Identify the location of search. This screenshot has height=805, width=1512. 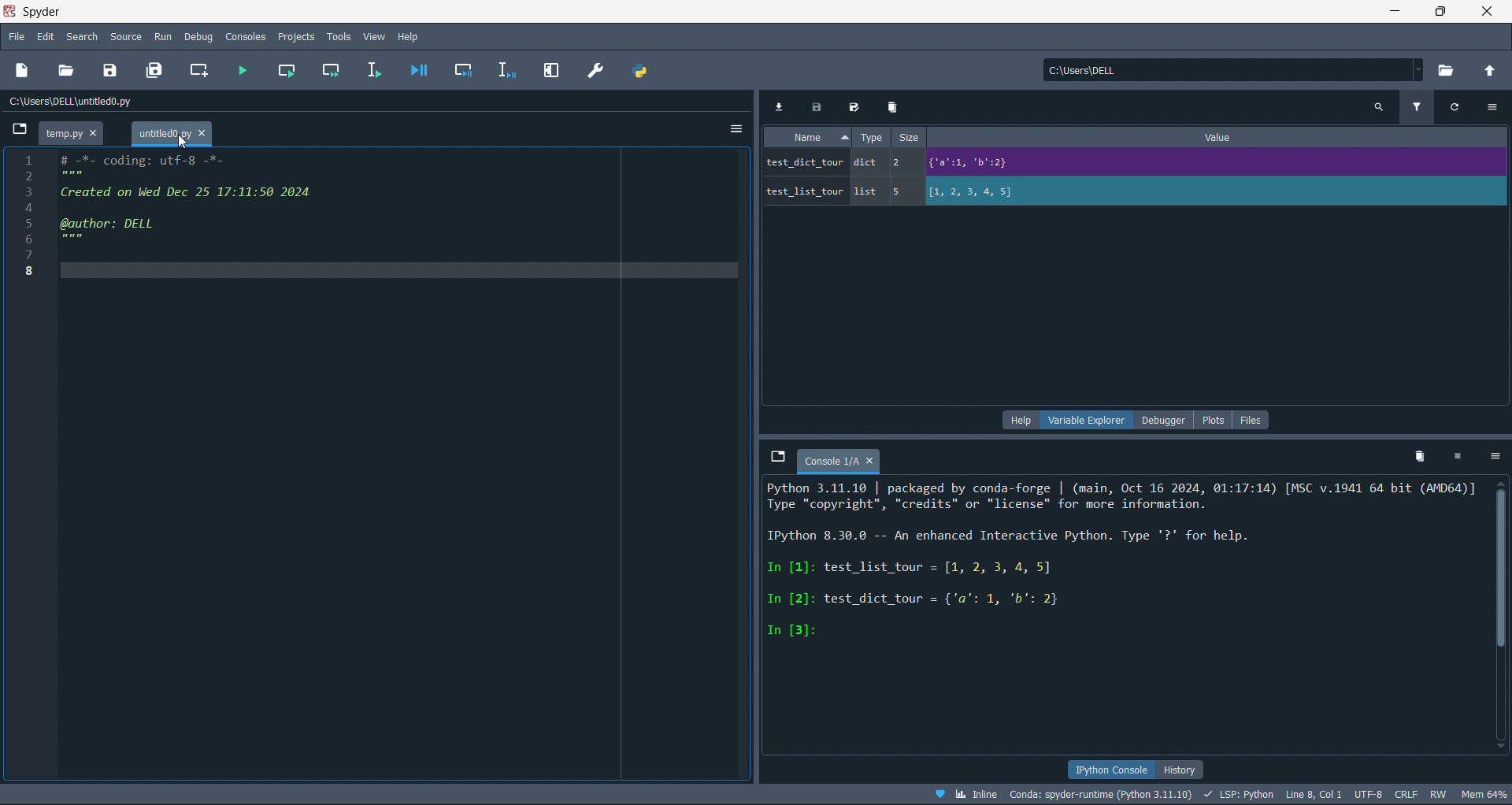
(1377, 106).